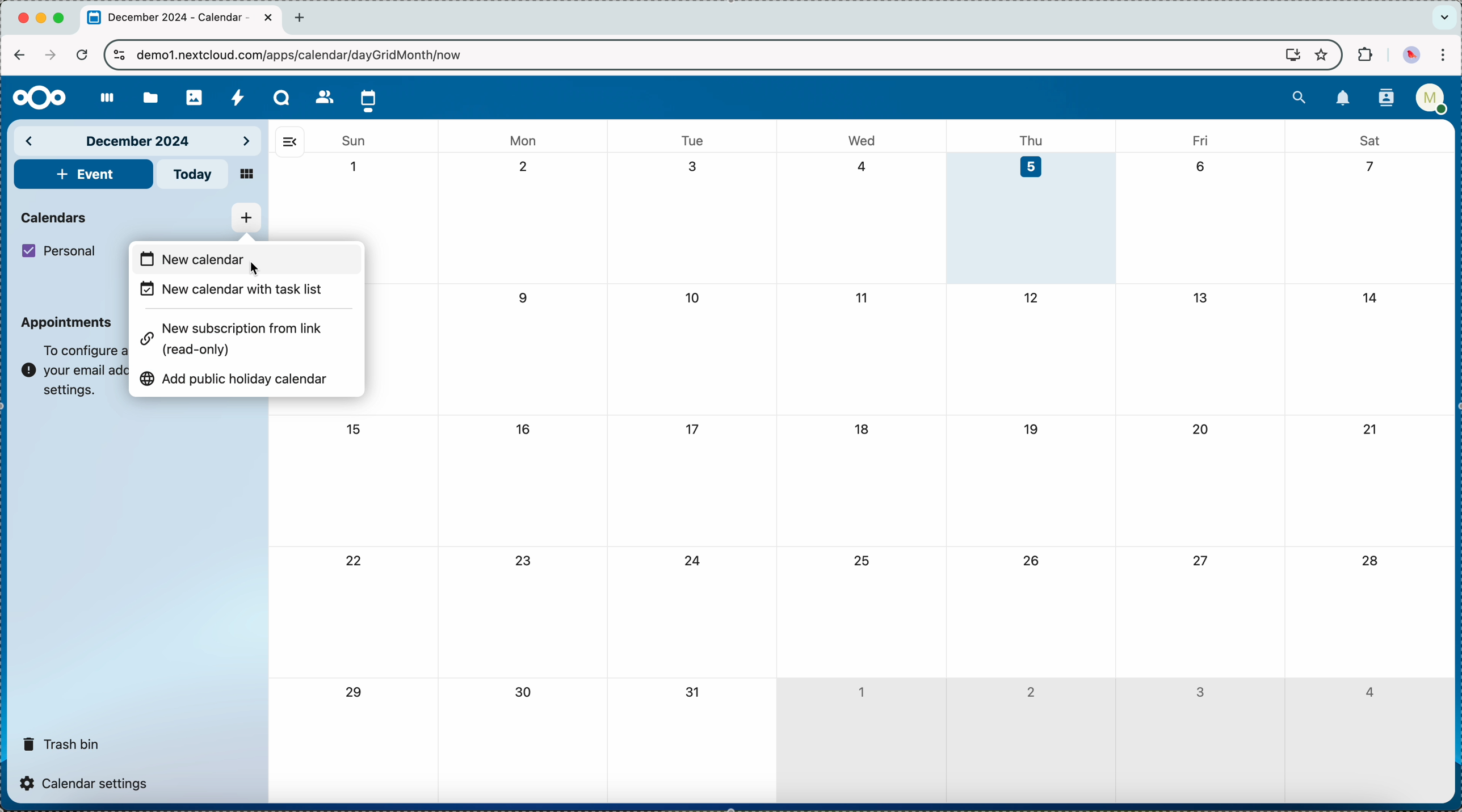 The image size is (1462, 812). Describe the element at coordinates (1031, 691) in the screenshot. I see `2` at that location.